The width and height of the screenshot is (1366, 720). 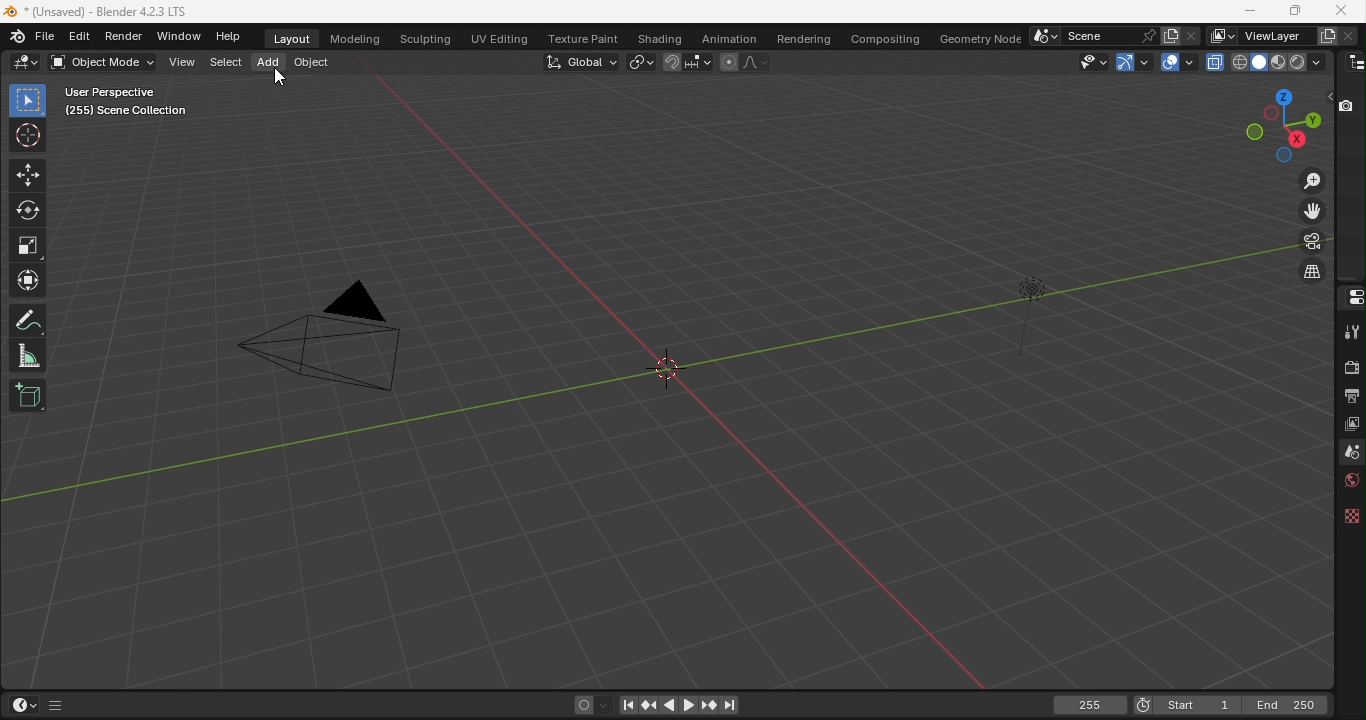 What do you see at coordinates (280, 80) in the screenshot?
I see `Cursor` at bounding box center [280, 80].